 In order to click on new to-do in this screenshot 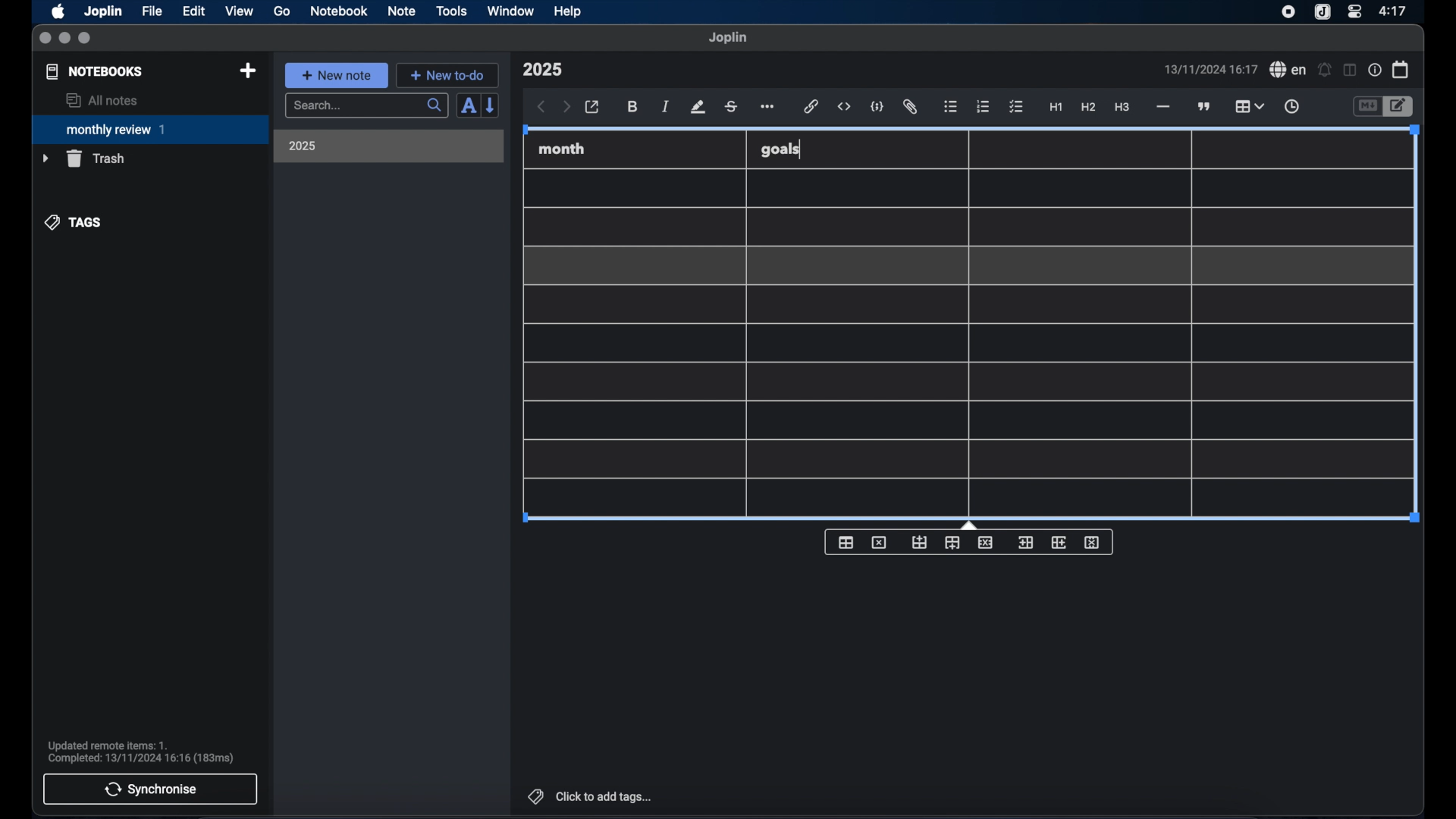, I will do `click(448, 75)`.